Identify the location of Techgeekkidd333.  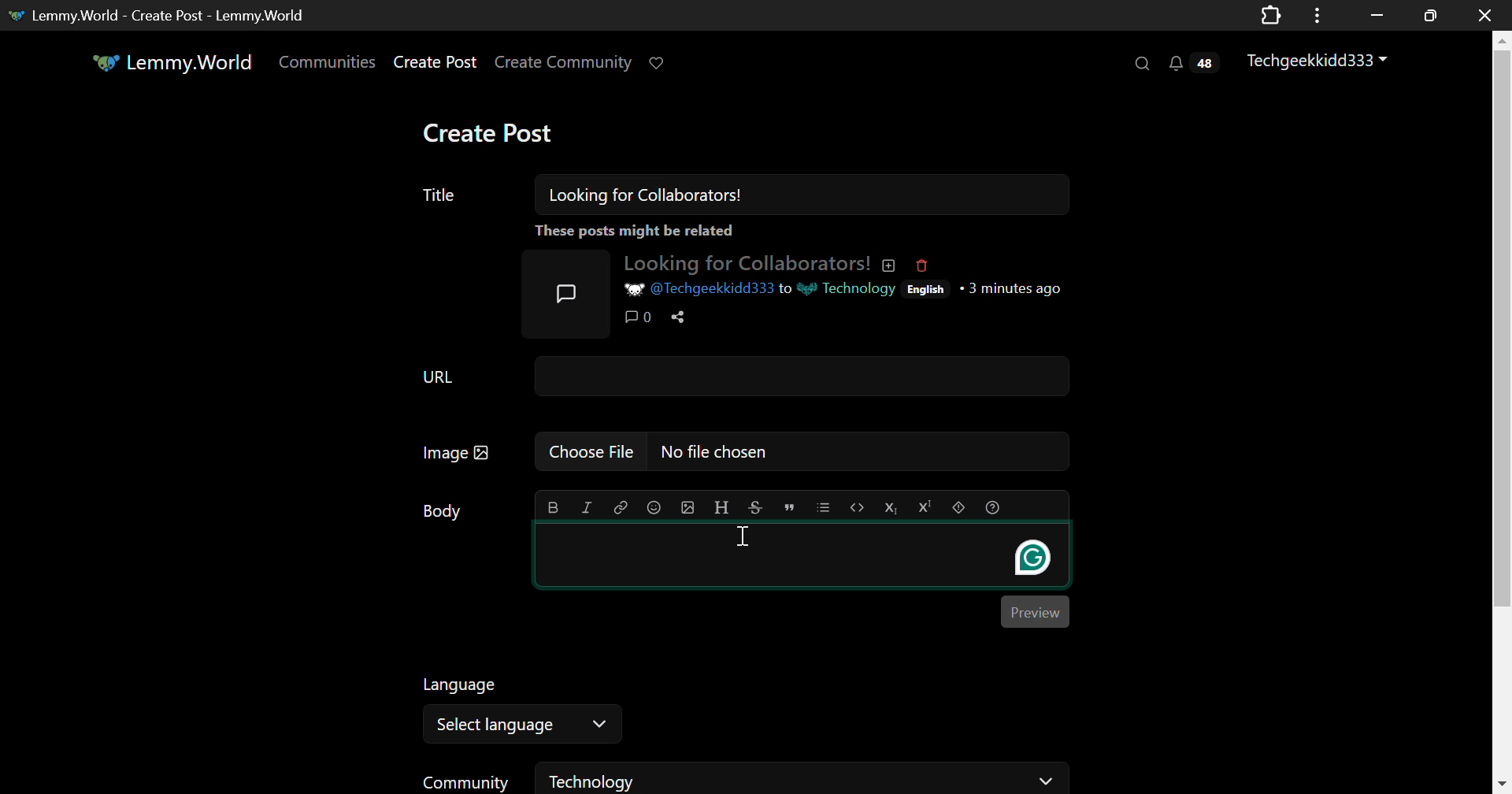
(1319, 61).